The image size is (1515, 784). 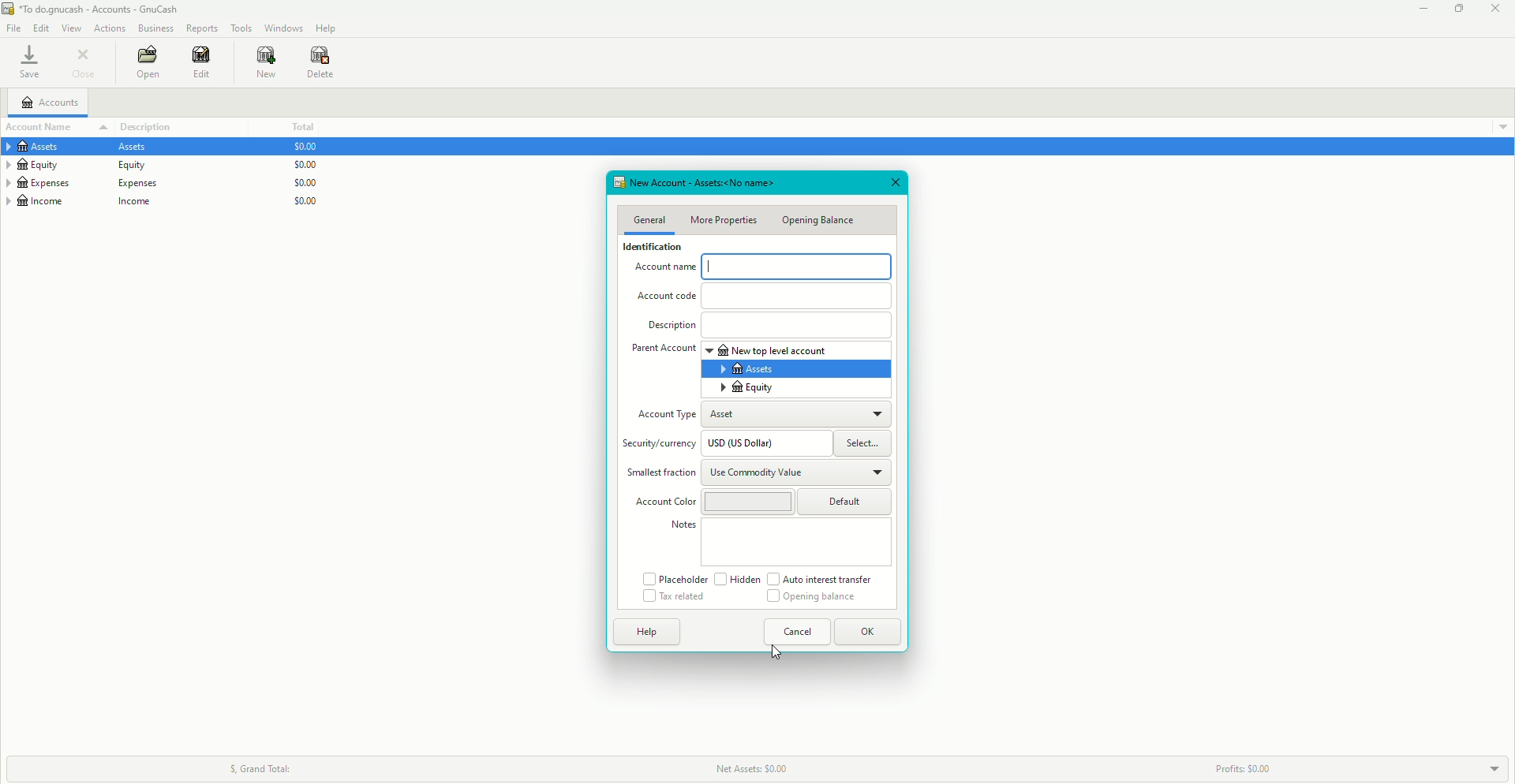 What do you see at coordinates (847, 501) in the screenshot?
I see `Default` at bounding box center [847, 501].